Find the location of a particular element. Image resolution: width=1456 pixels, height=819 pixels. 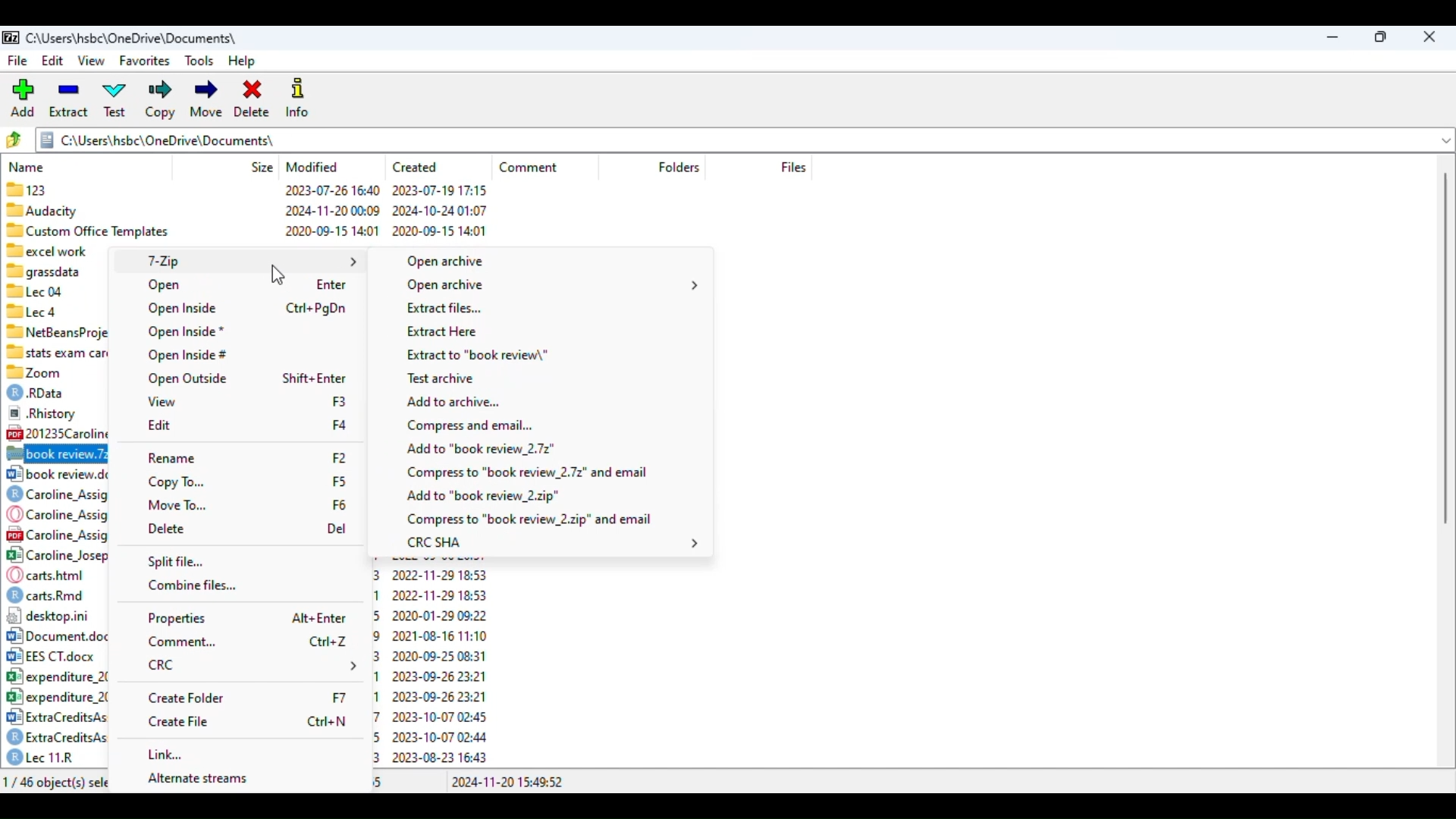

info is located at coordinates (297, 96).